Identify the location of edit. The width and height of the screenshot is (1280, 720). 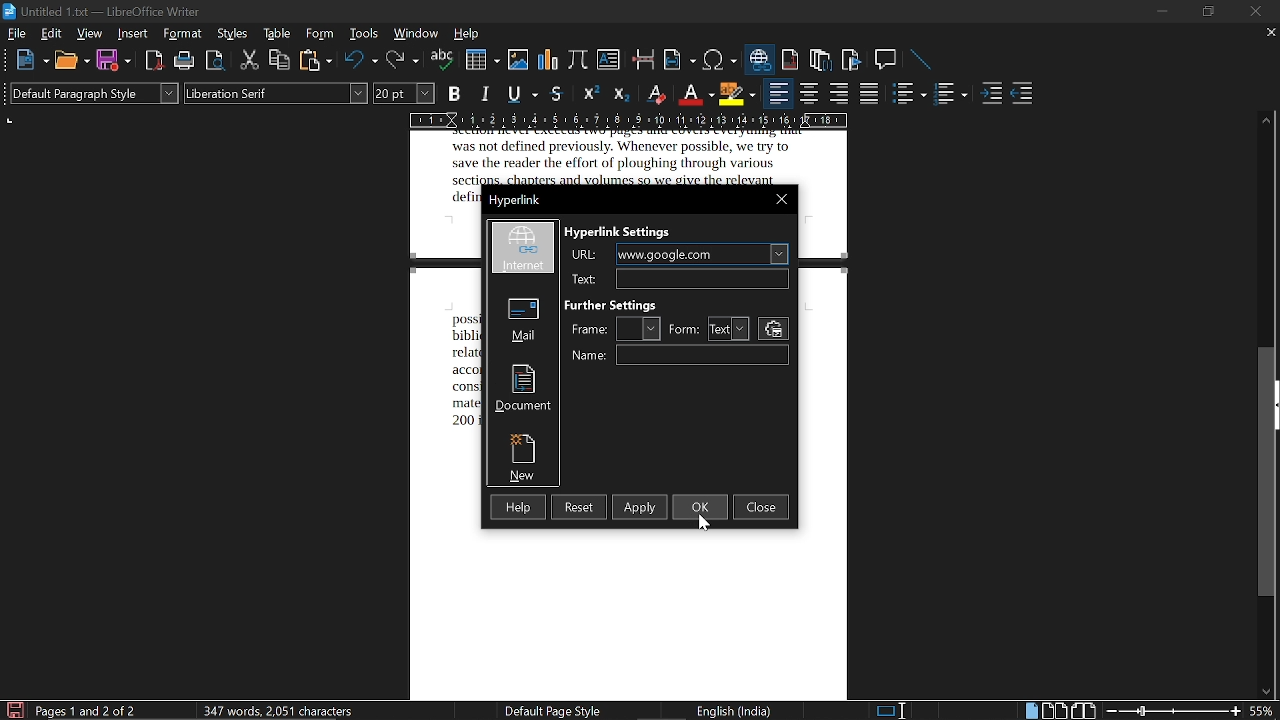
(50, 33).